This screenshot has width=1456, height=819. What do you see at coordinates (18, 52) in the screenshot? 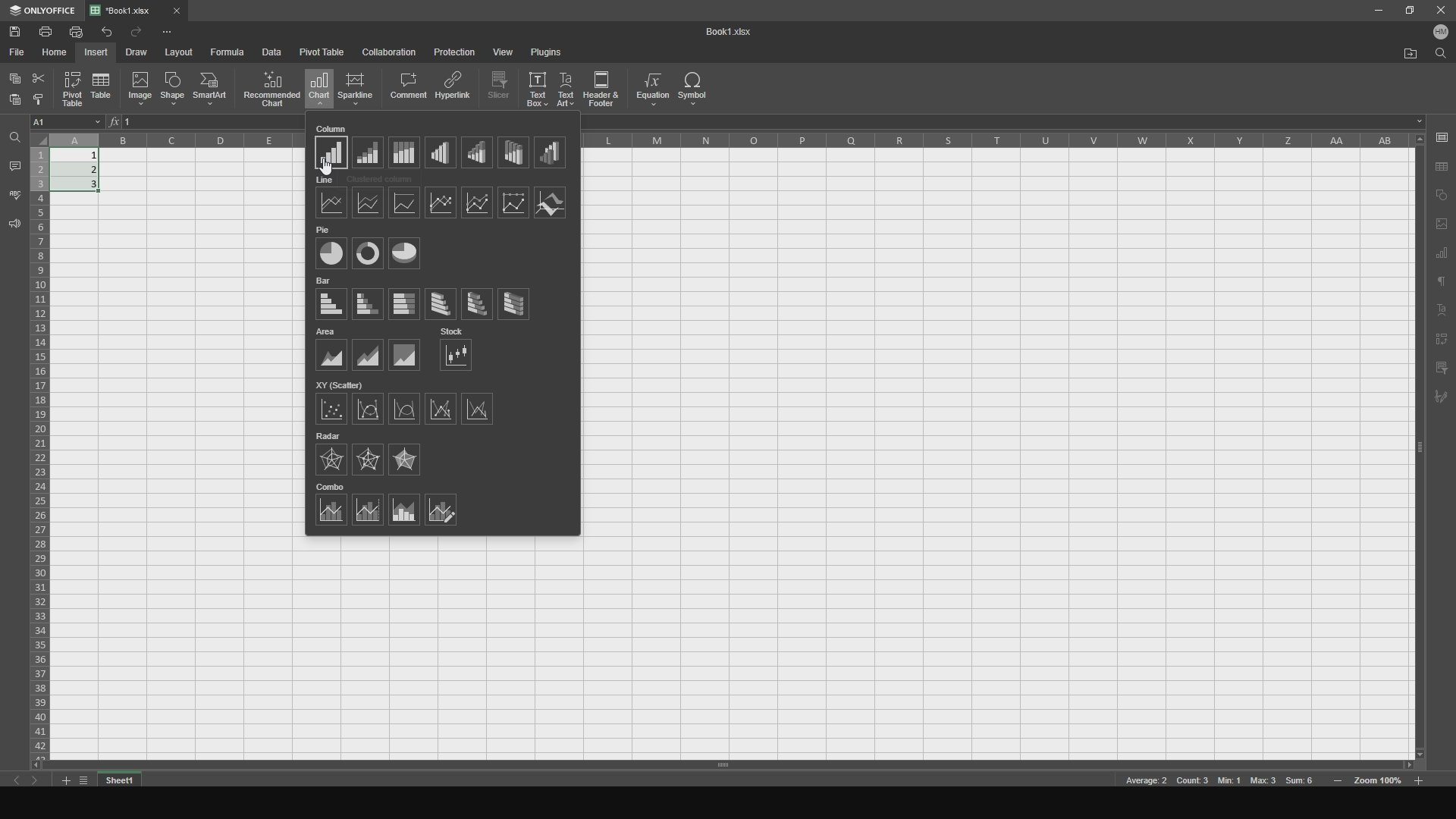
I see `file` at bounding box center [18, 52].